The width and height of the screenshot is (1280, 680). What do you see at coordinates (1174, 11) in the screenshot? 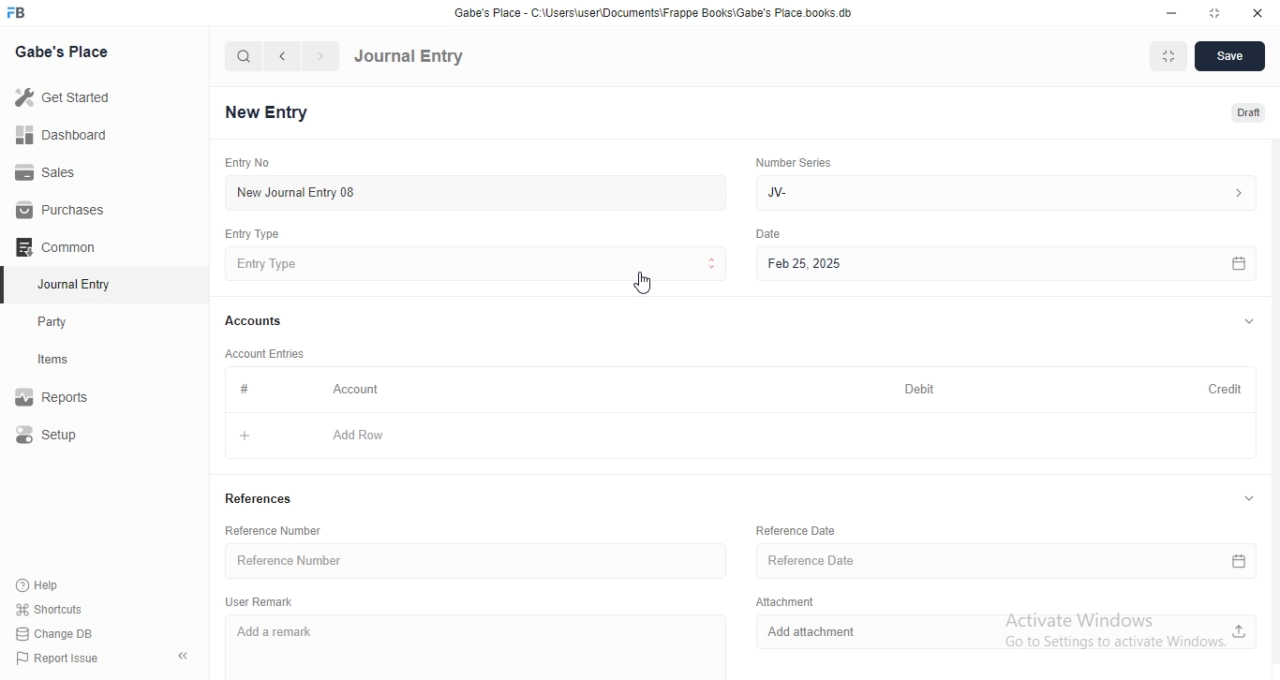
I see `minimize` at bounding box center [1174, 11].